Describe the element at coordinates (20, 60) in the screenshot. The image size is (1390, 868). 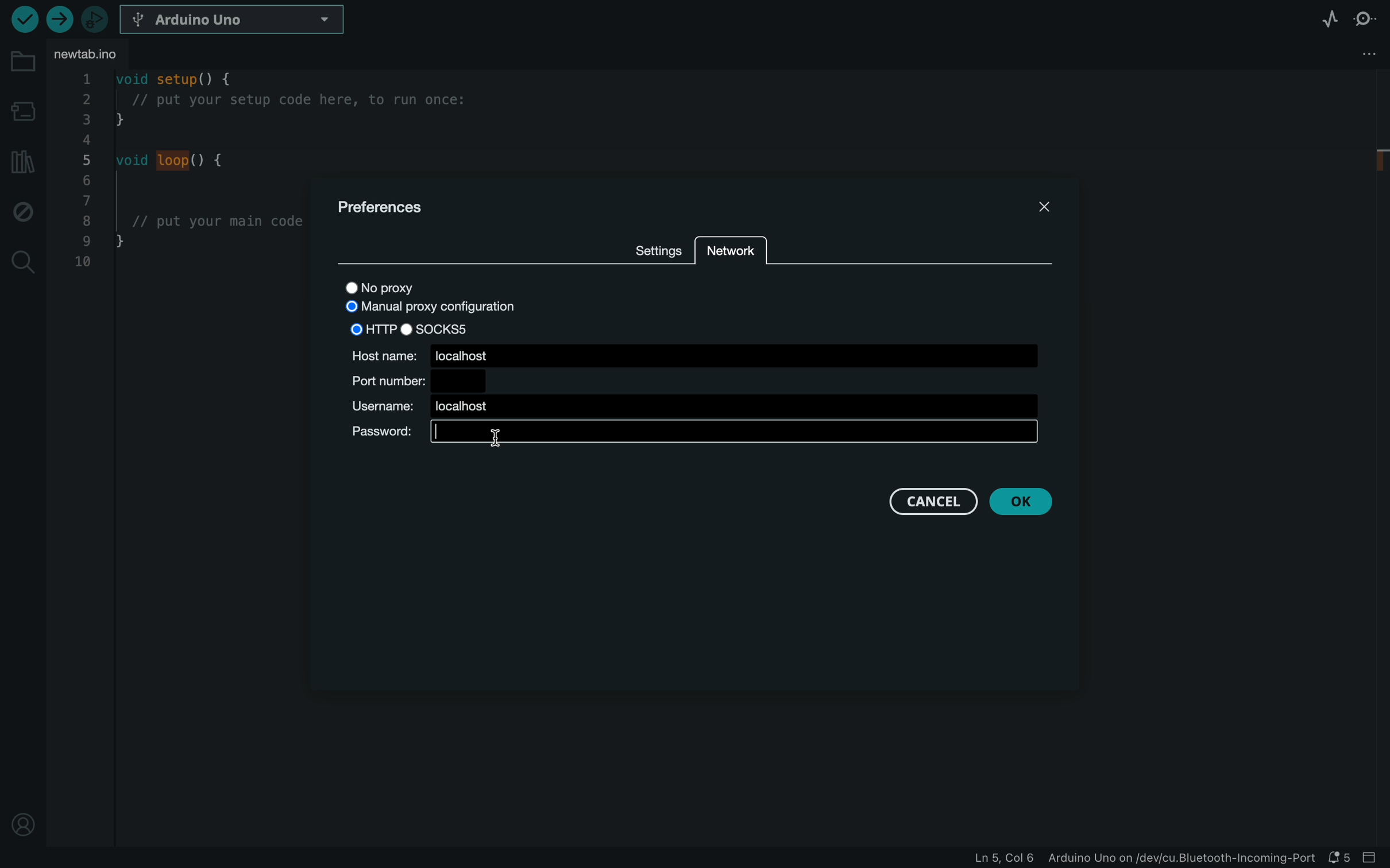
I see `folder` at that location.